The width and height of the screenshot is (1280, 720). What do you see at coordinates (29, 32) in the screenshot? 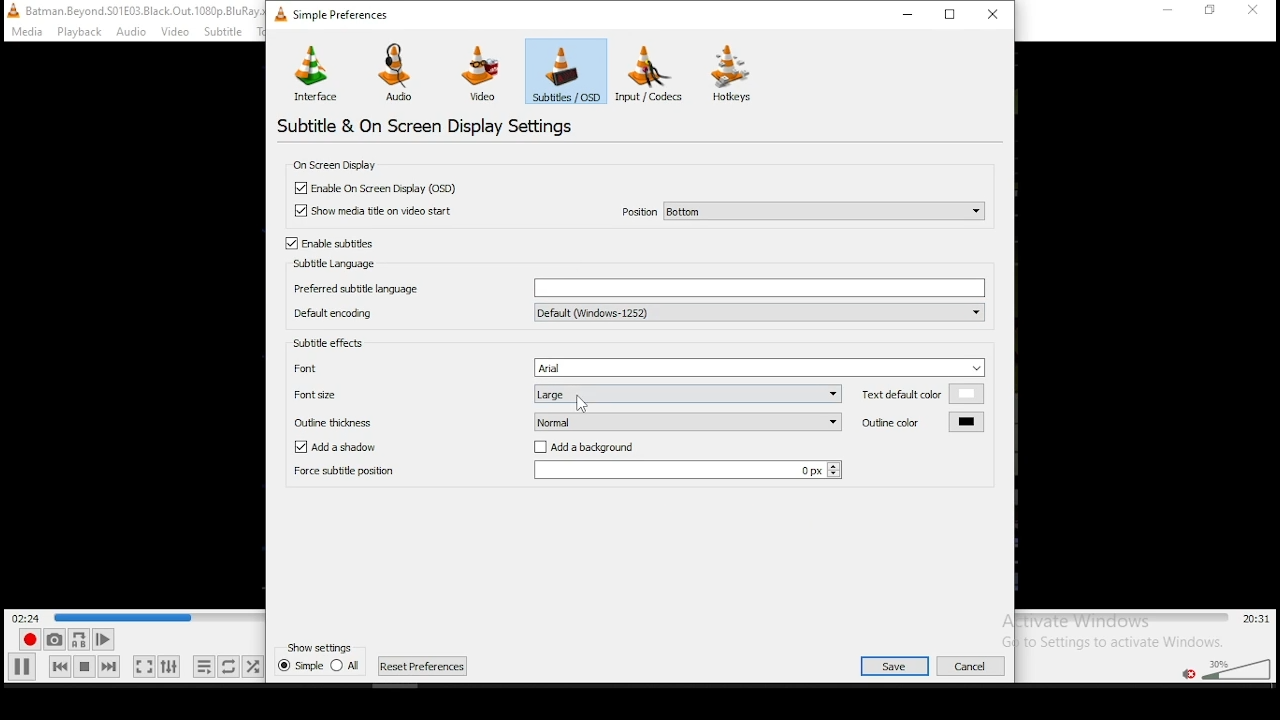
I see `media` at bounding box center [29, 32].